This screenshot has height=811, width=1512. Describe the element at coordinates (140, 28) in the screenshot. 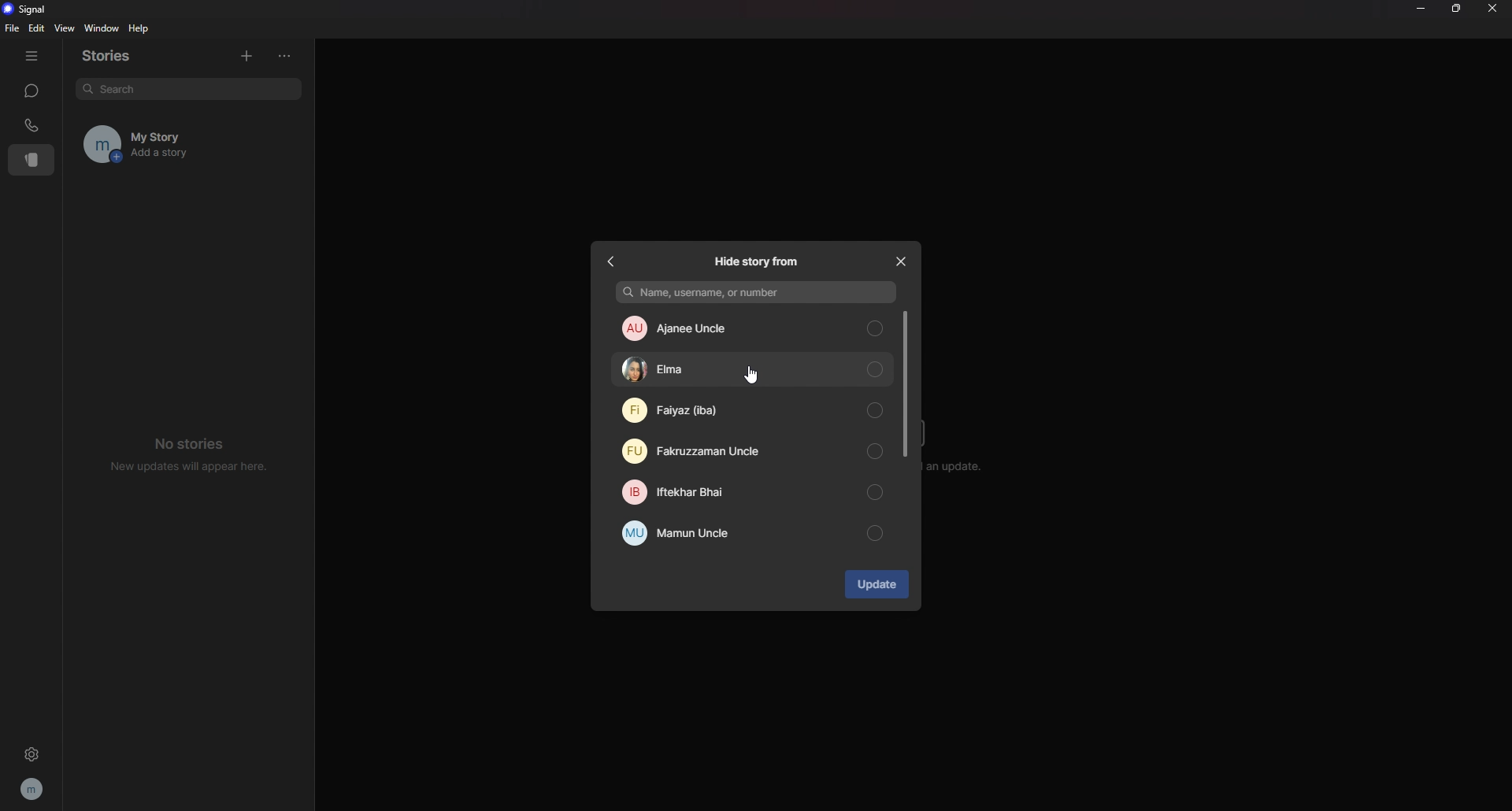

I see `help` at that location.